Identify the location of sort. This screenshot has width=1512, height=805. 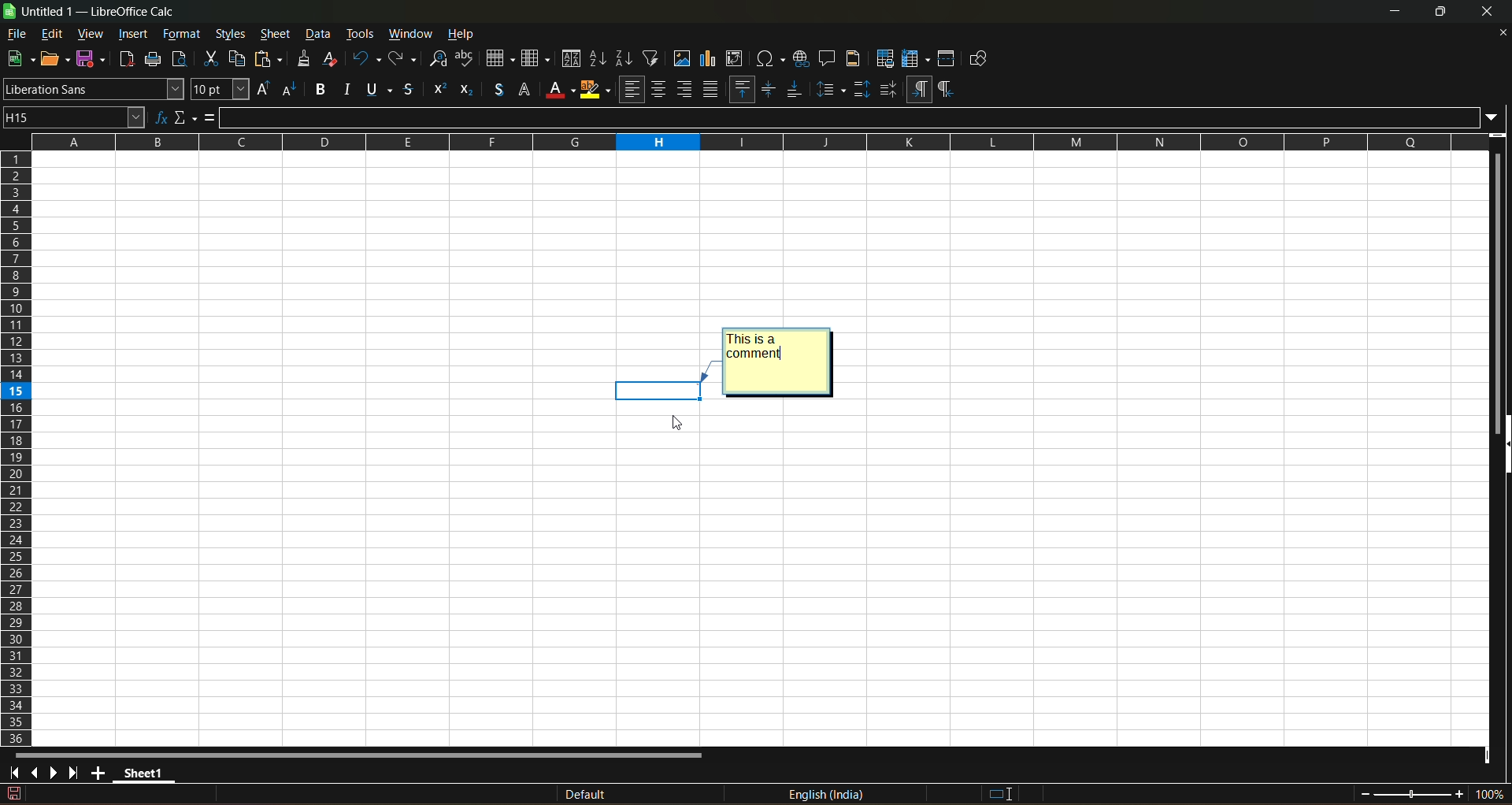
(571, 57).